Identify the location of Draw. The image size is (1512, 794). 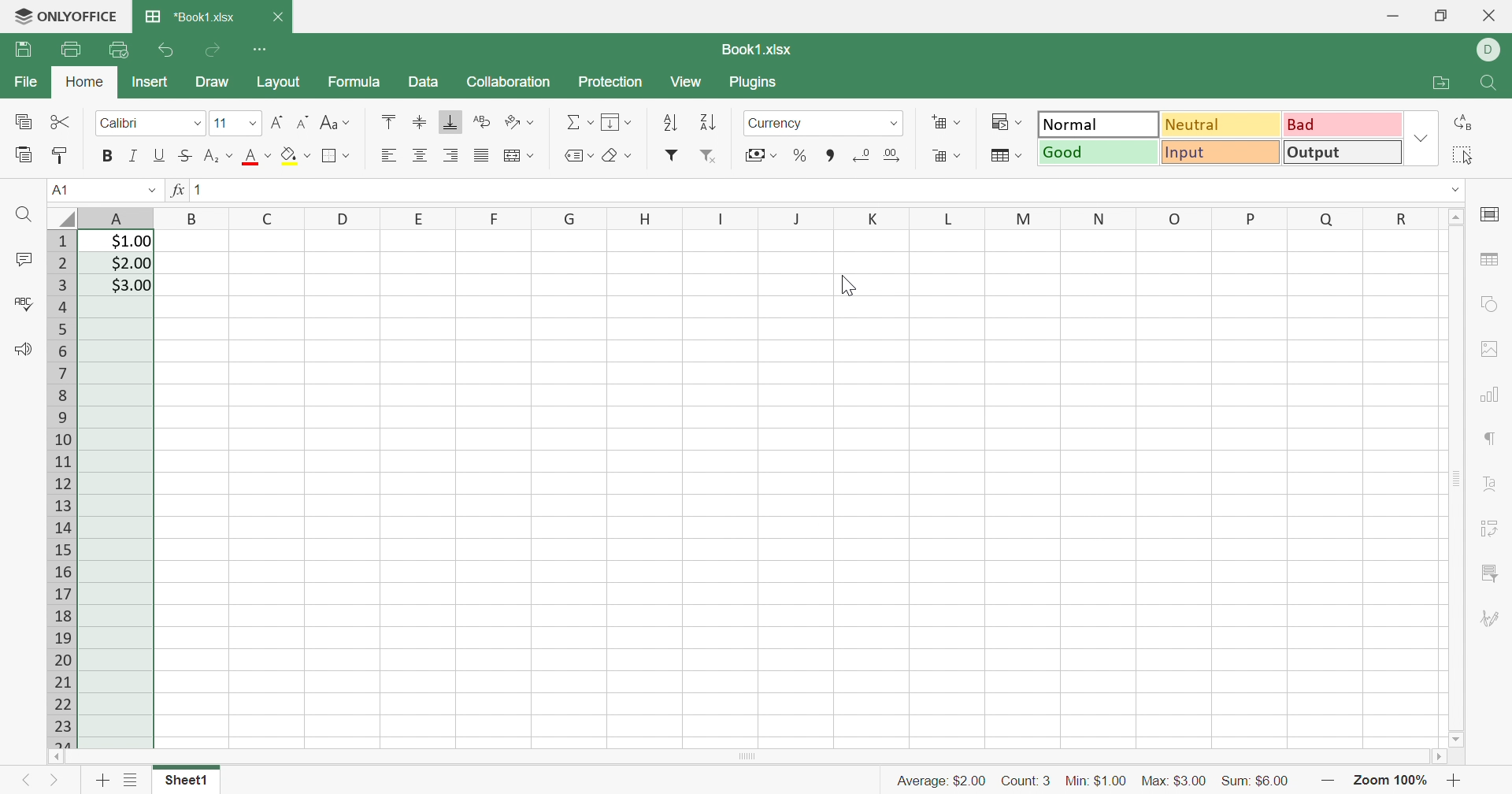
(213, 83).